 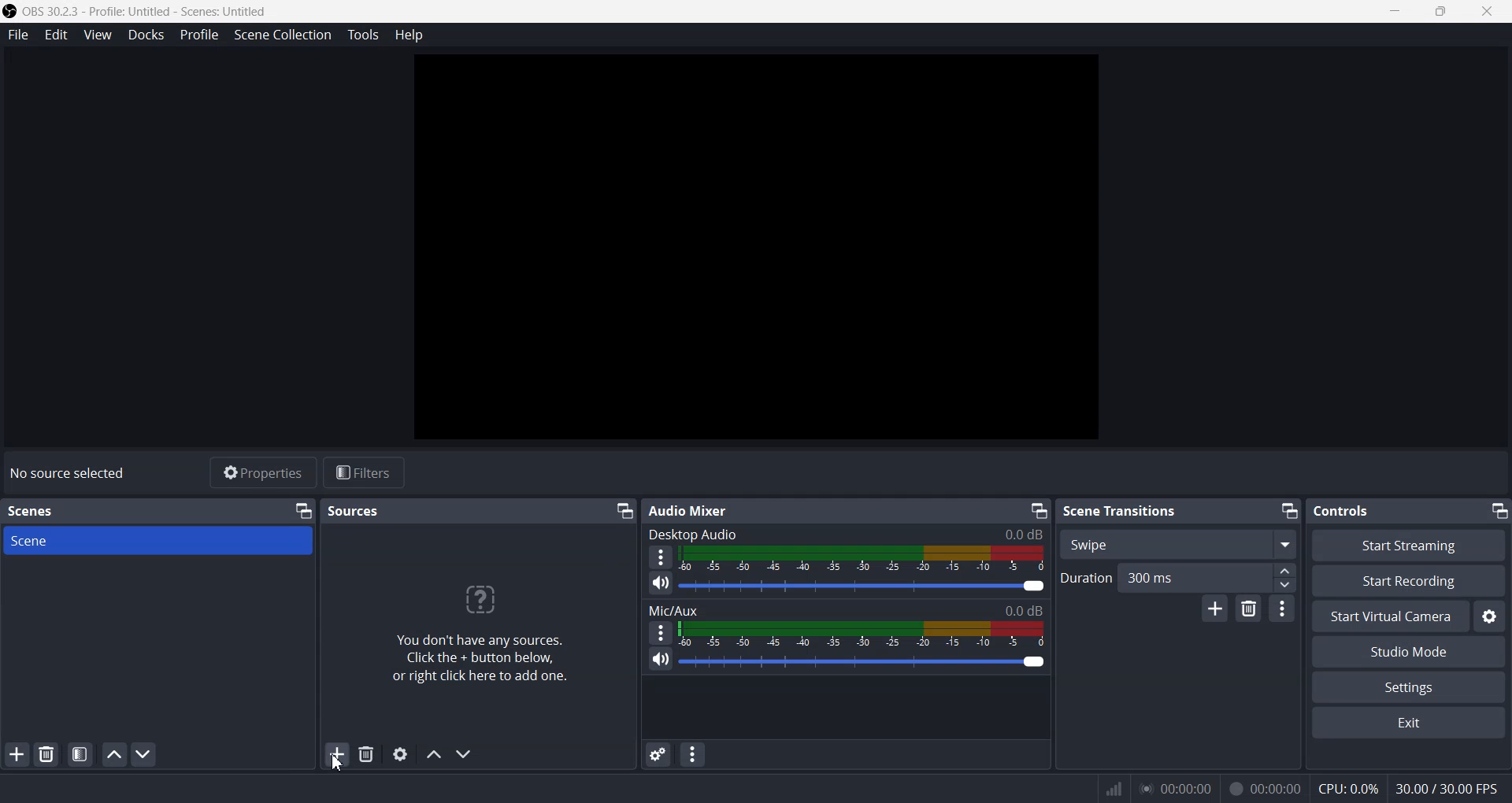 What do you see at coordinates (35, 512) in the screenshot?
I see `Text` at bounding box center [35, 512].